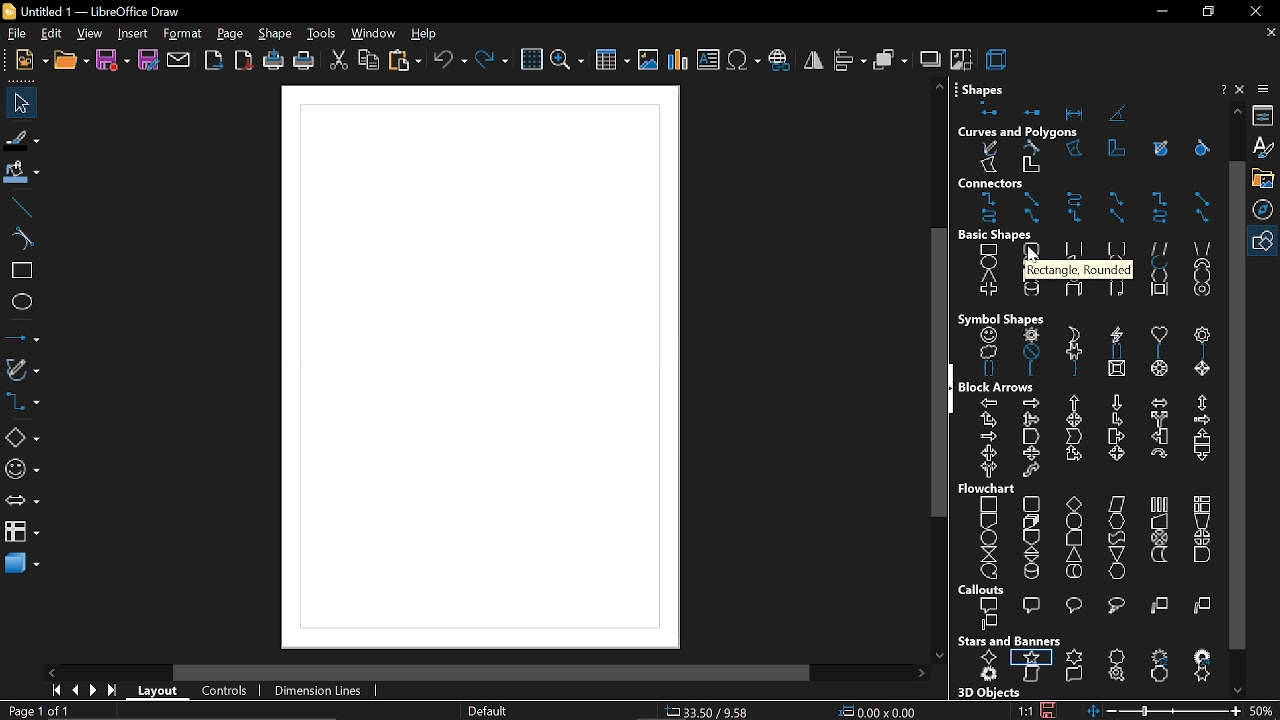 The width and height of the screenshot is (1280, 720). Describe the element at coordinates (1160, 13) in the screenshot. I see `minimize` at that location.